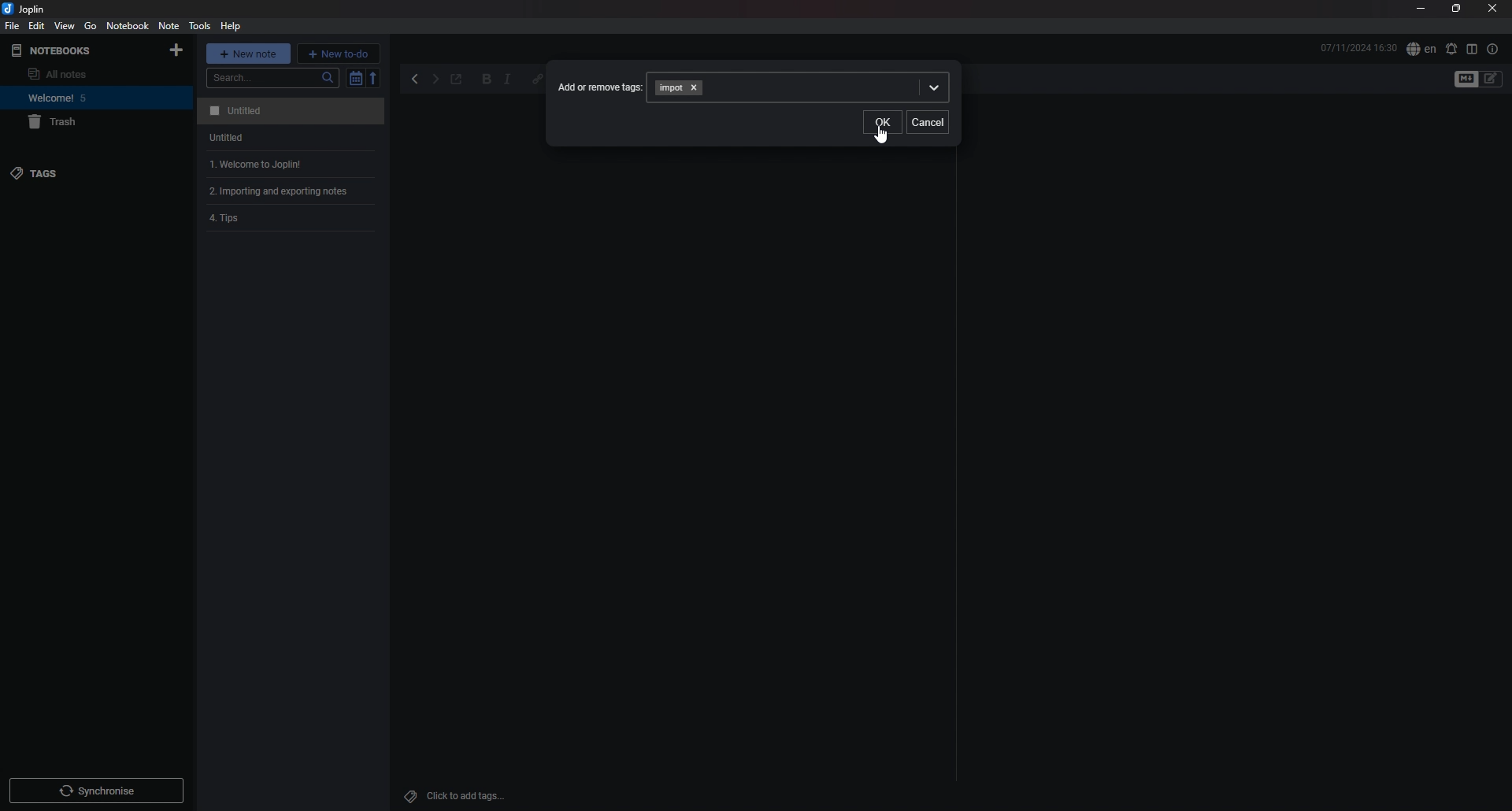 This screenshot has height=811, width=1512. I want to click on add or remove tags, so click(600, 87).